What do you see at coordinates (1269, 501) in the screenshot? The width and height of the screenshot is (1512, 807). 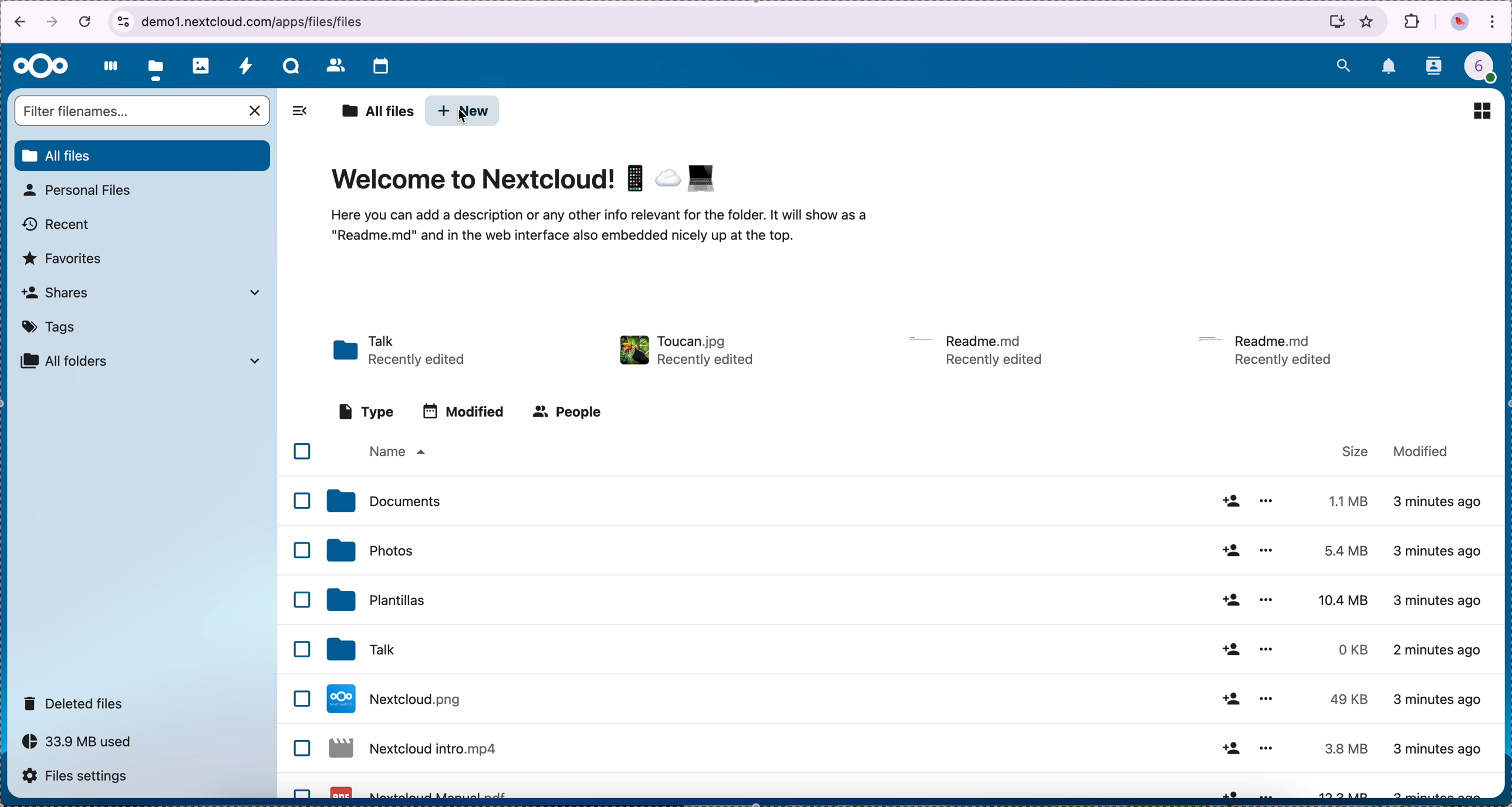 I see `more options` at bounding box center [1269, 501].